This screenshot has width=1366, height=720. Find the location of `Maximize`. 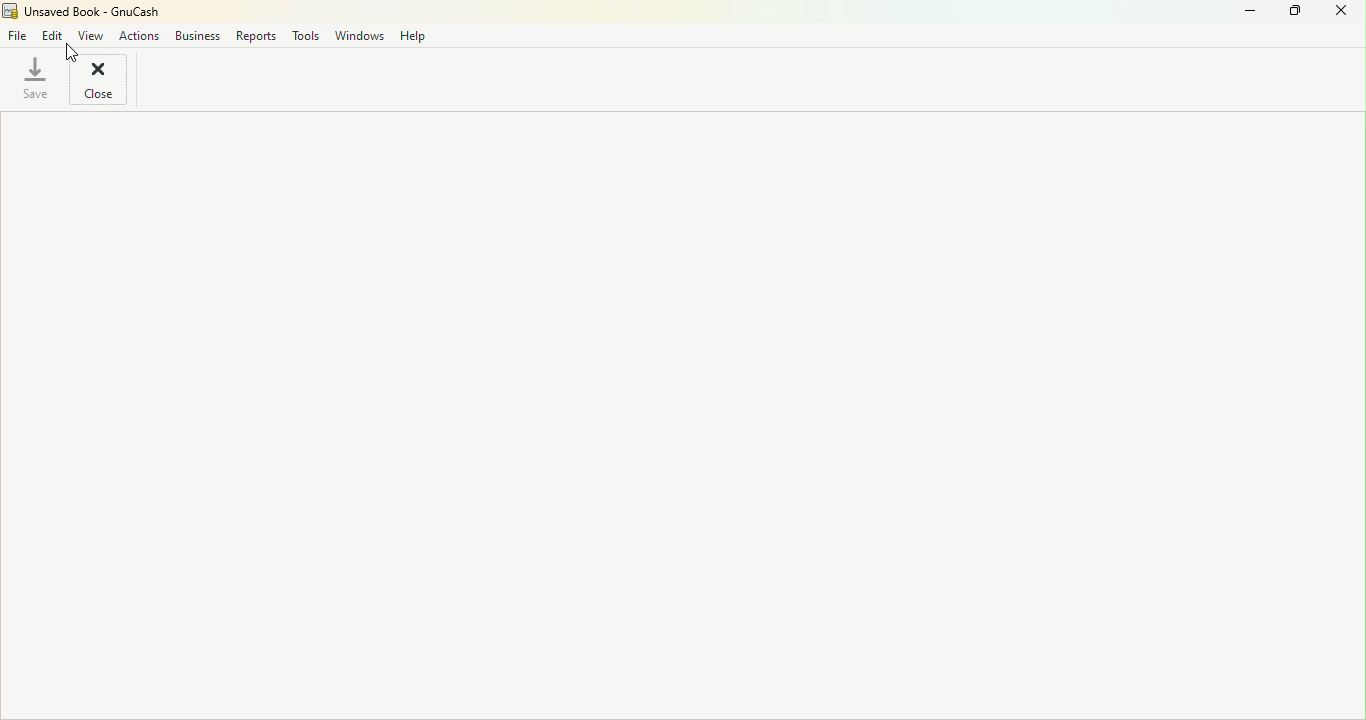

Maximize is located at coordinates (1293, 13).